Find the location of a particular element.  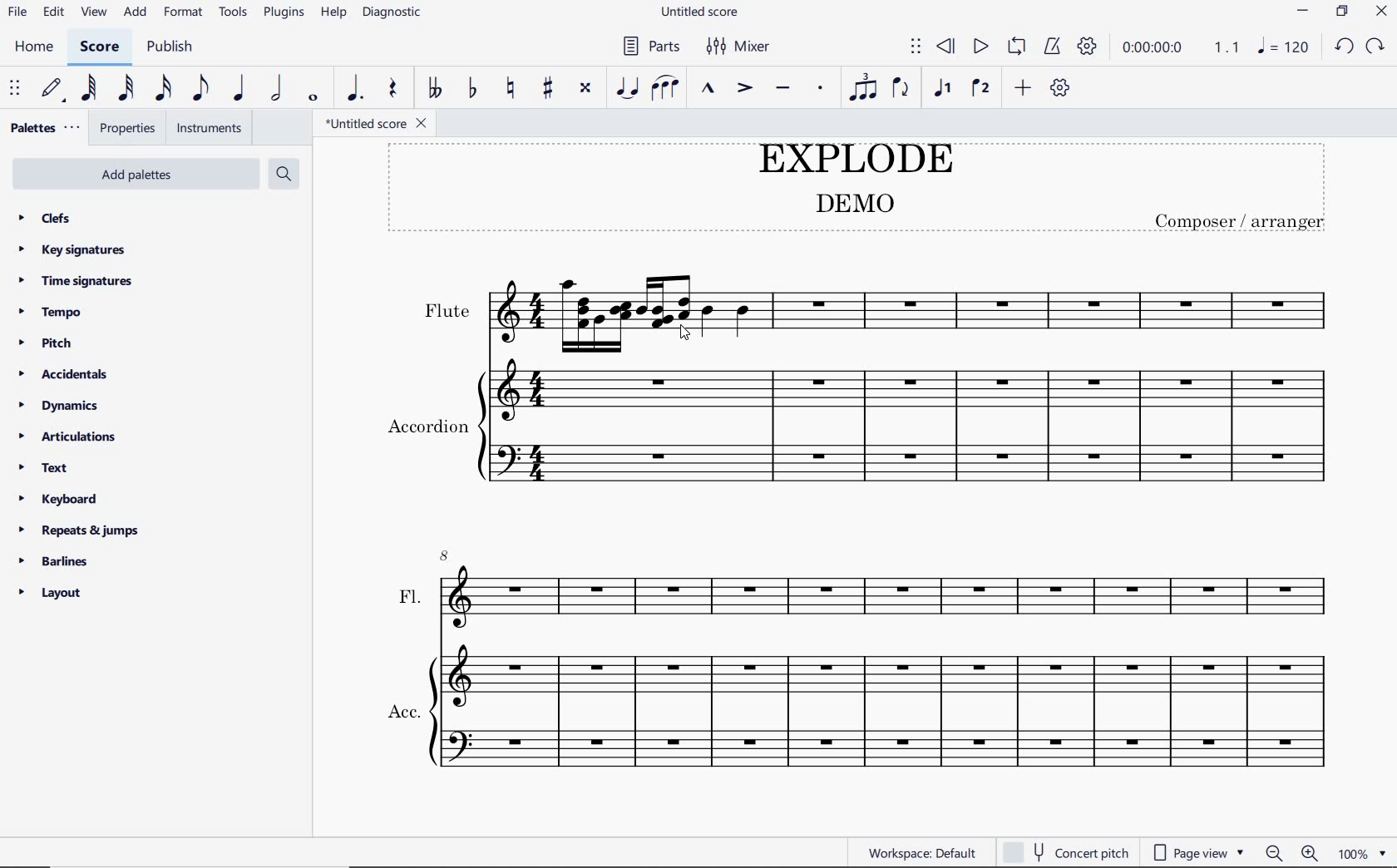

pitch is located at coordinates (48, 344).